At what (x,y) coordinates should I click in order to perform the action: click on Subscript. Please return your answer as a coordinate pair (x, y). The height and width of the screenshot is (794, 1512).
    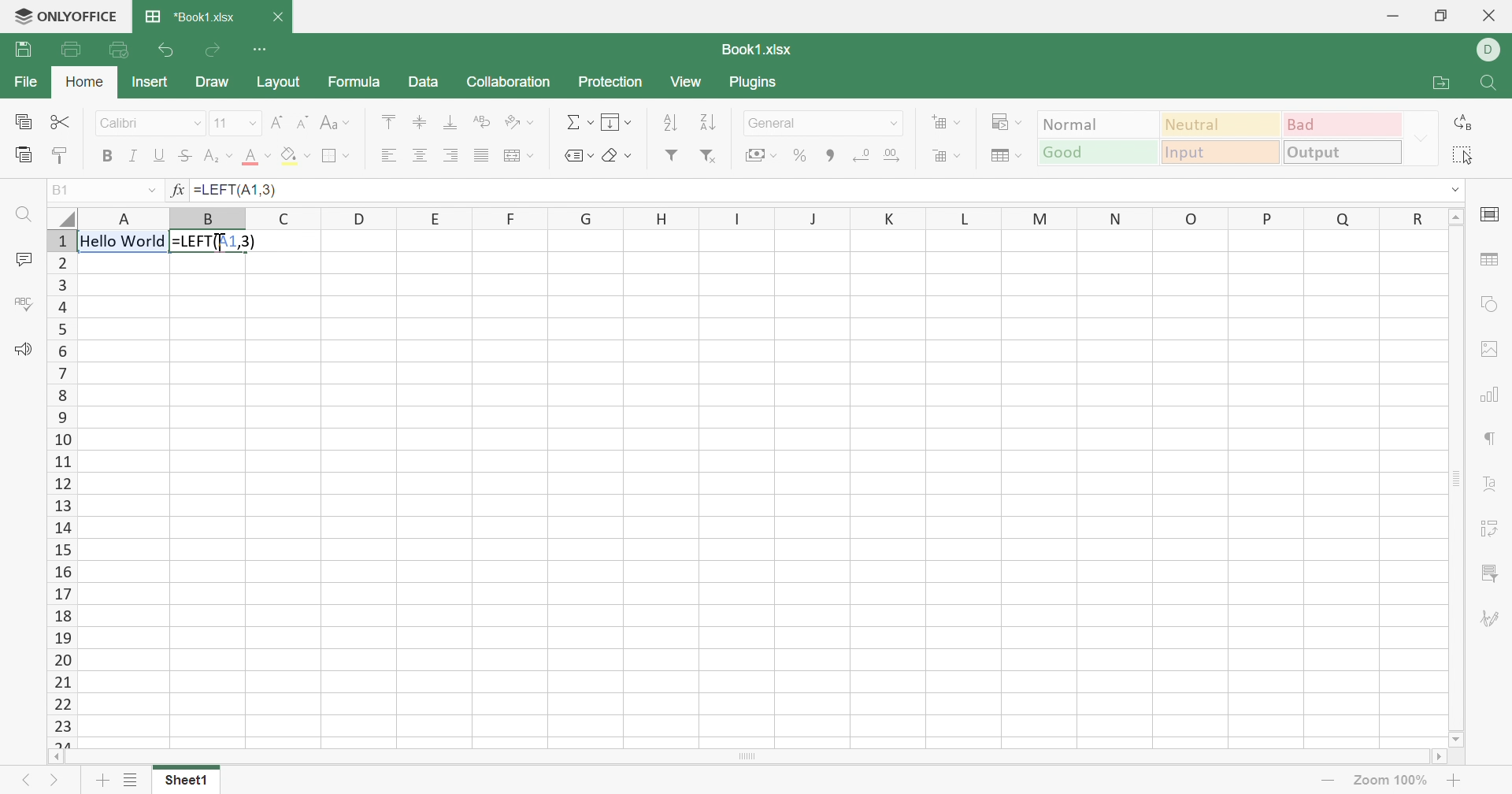
    Looking at the image, I should click on (216, 157).